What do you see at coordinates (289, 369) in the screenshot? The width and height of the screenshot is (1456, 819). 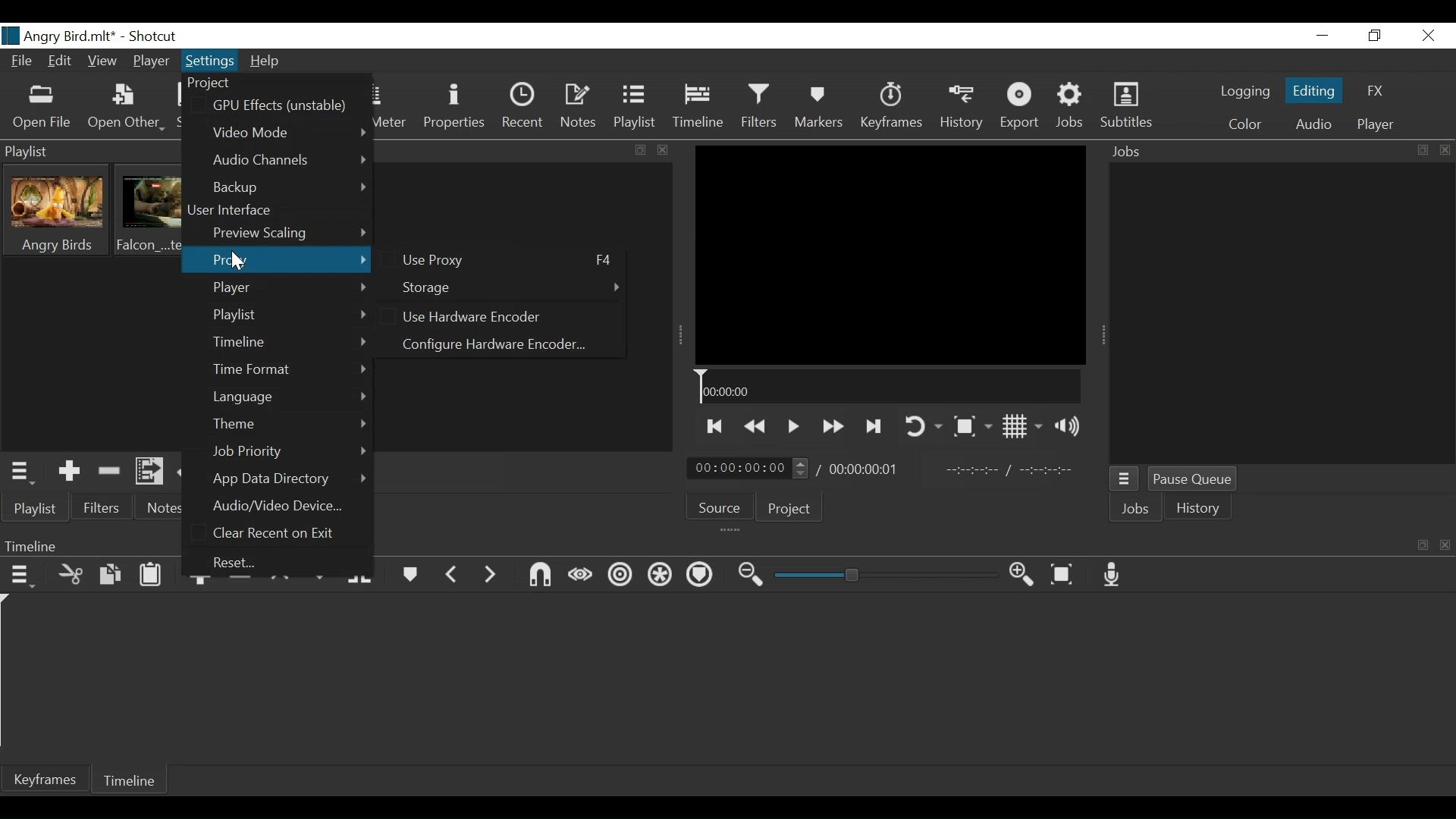 I see `Time Format` at bounding box center [289, 369].